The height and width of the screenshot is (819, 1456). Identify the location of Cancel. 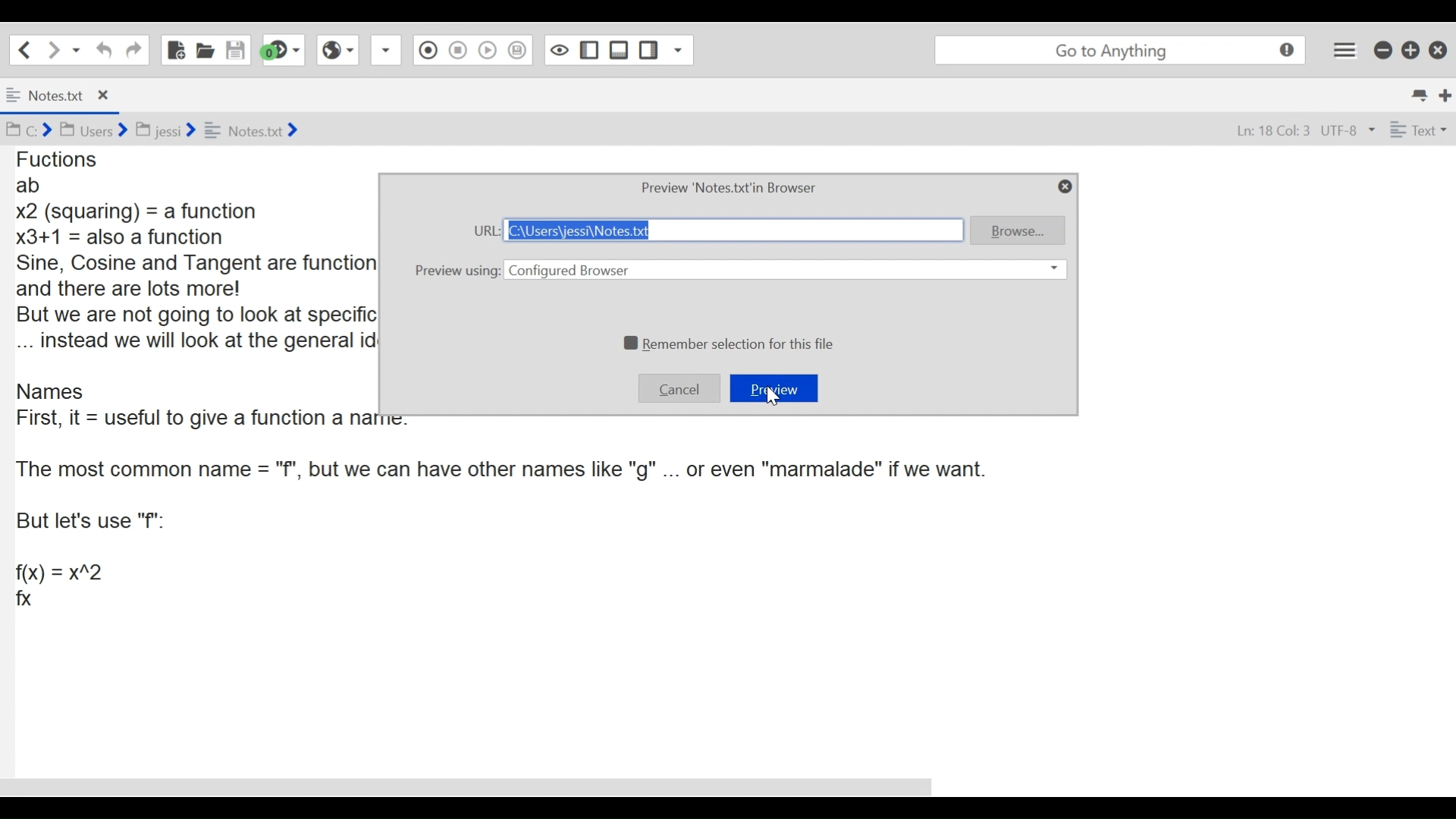
(679, 388).